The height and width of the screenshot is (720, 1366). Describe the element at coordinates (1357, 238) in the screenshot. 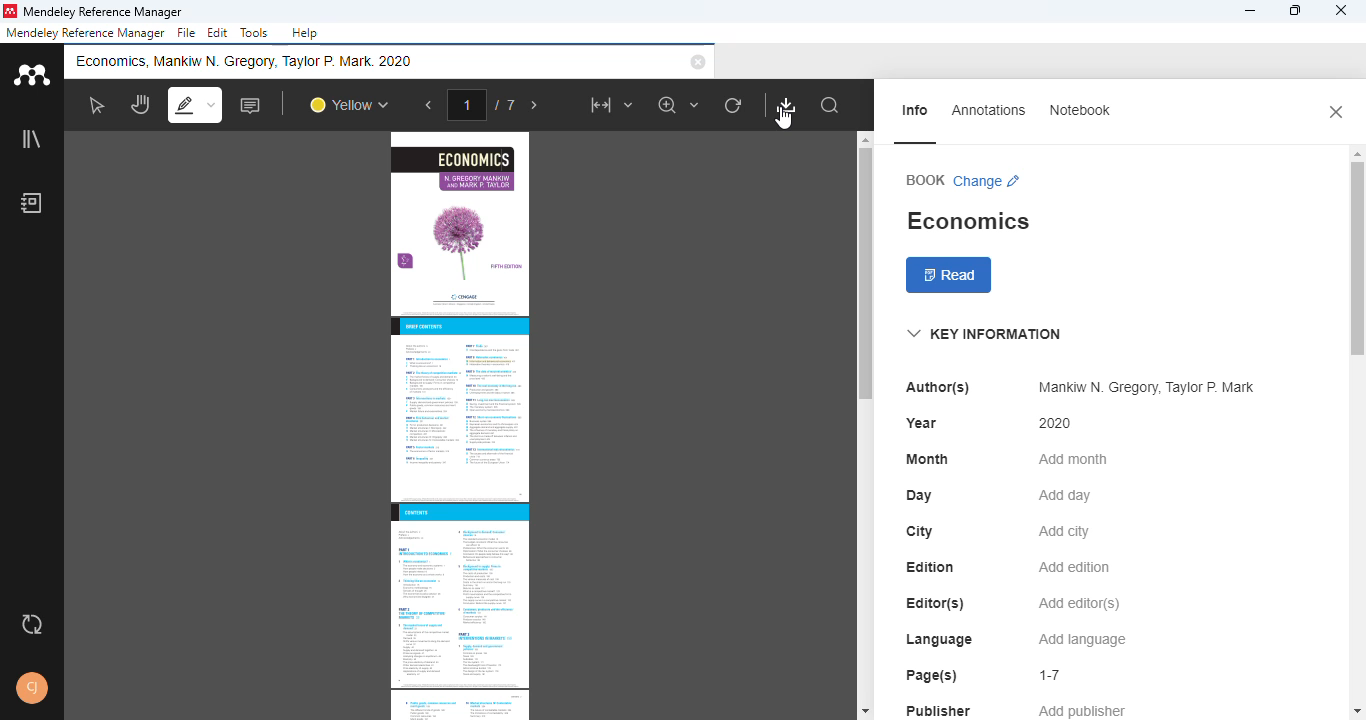

I see `vertical scroll bar` at that location.